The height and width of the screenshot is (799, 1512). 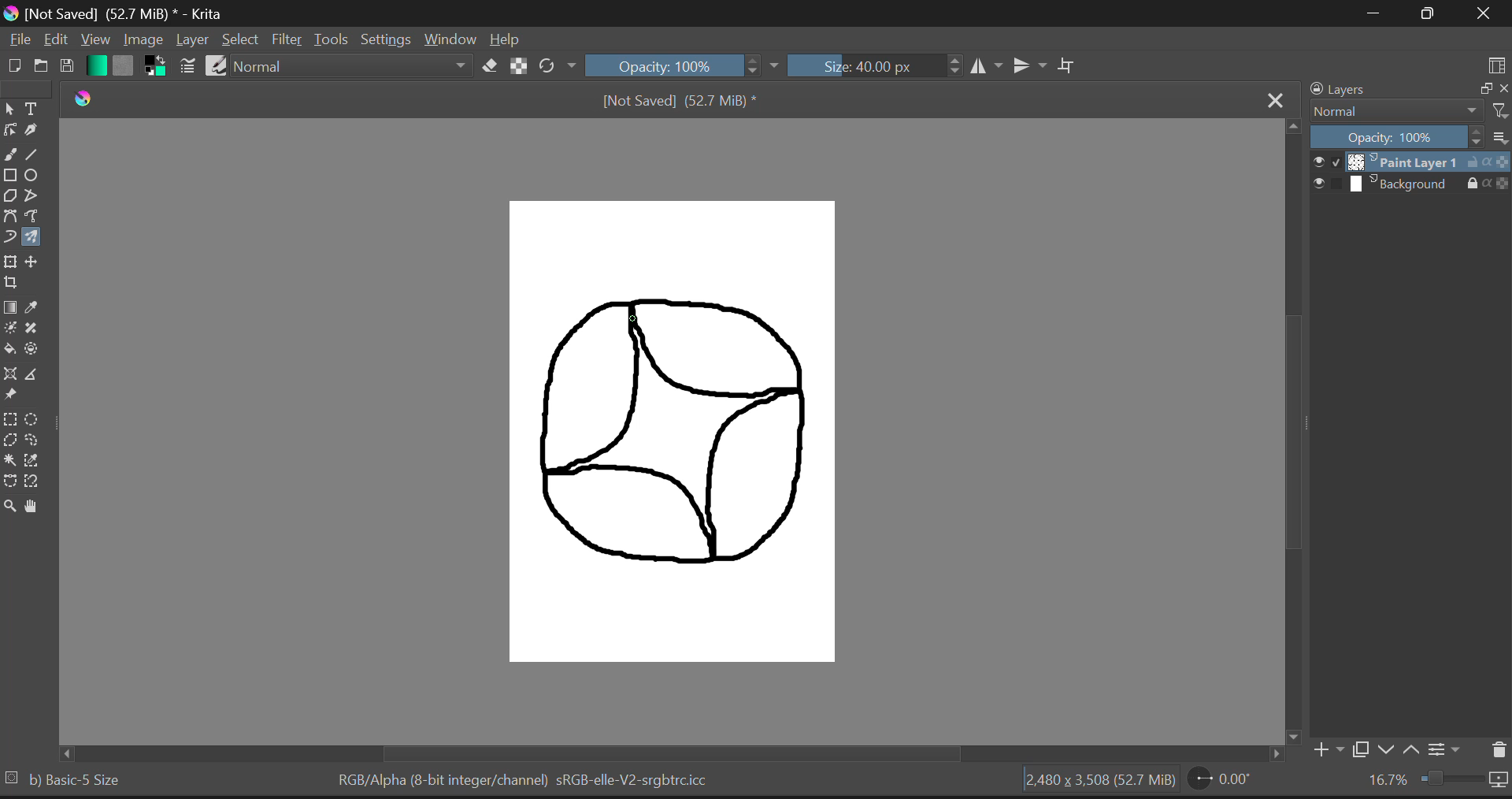 I want to click on , so click(x=1501, y=110).